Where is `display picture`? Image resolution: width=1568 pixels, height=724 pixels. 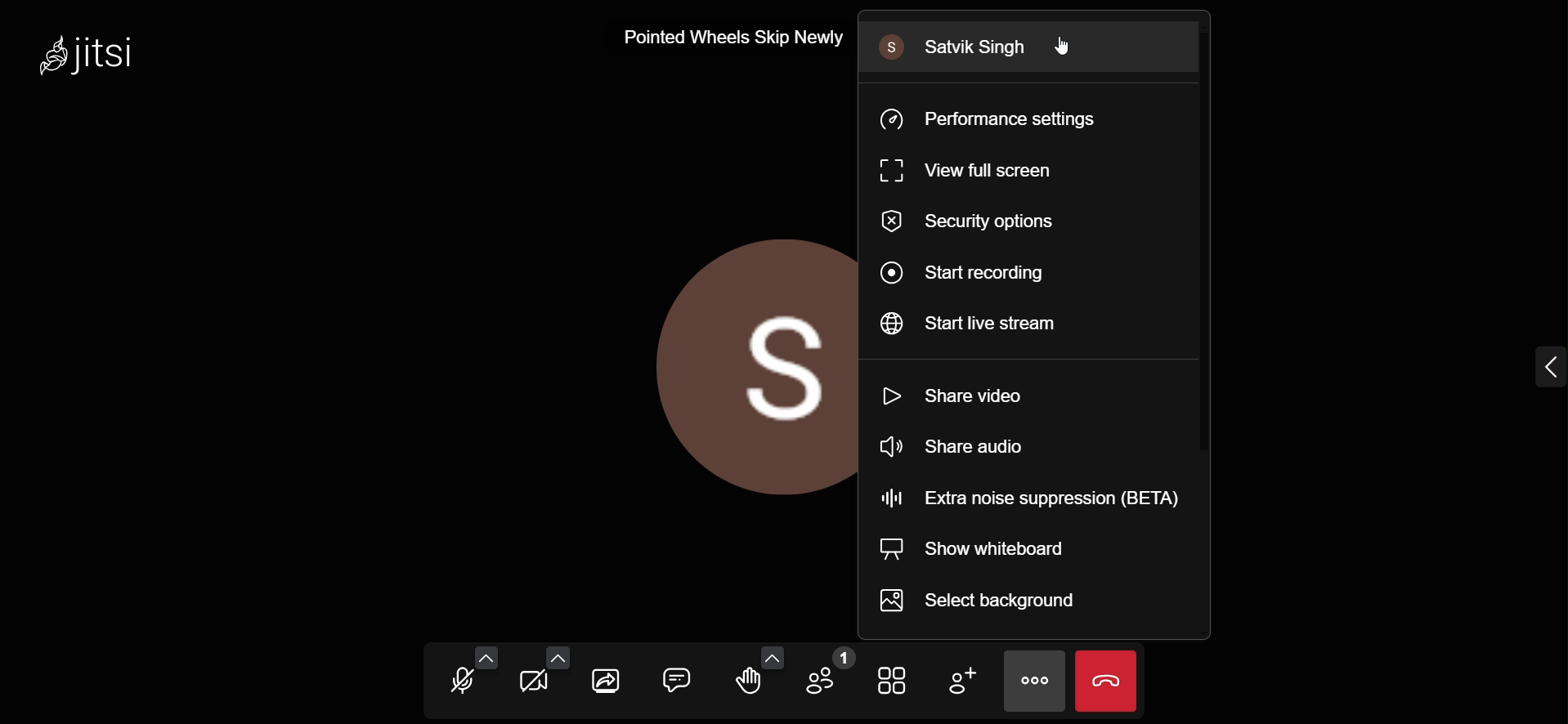 display picture is located at coordinates (755, 364).